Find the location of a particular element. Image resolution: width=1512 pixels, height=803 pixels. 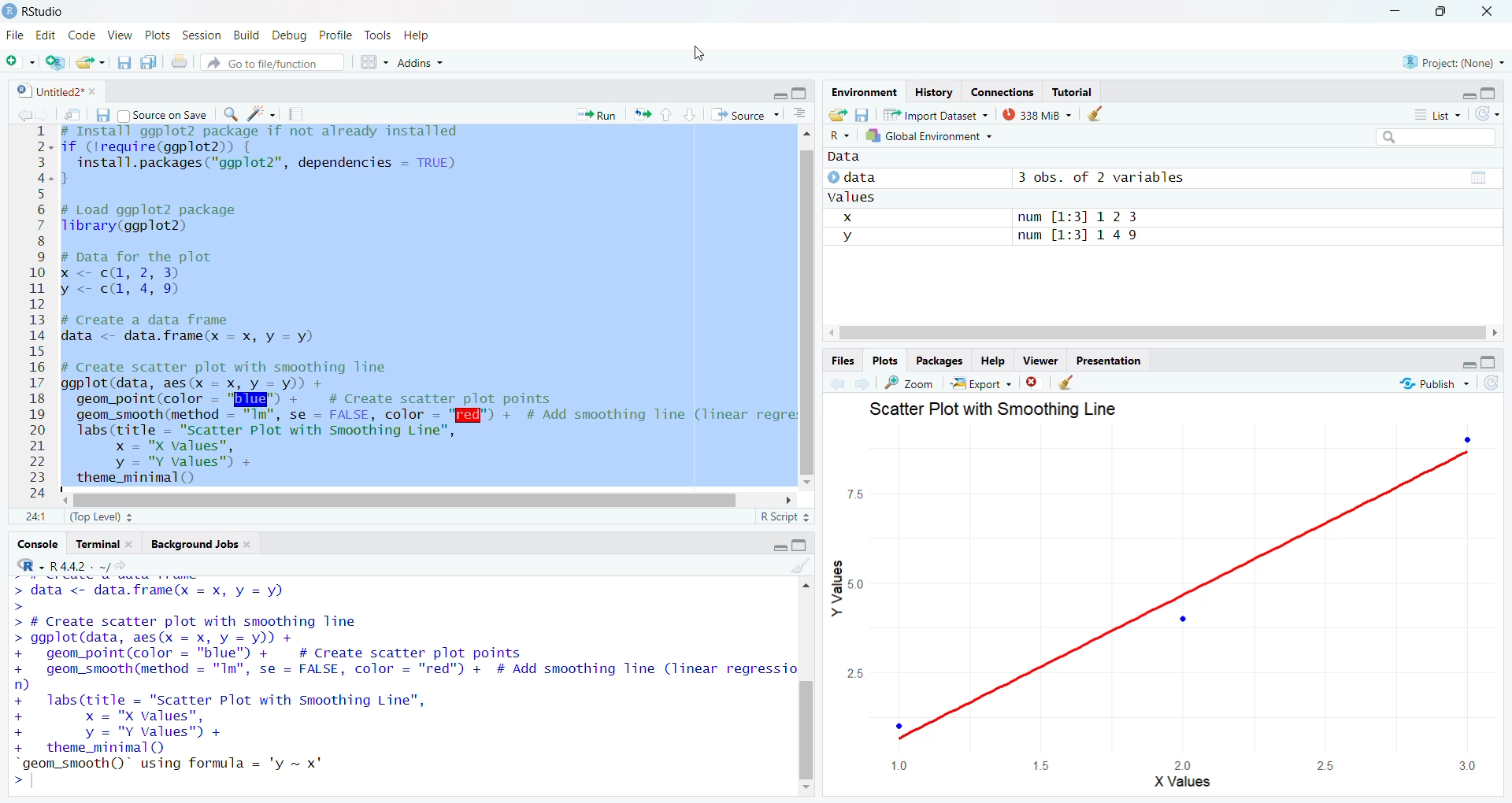

workspace pane is located at coordinates (376, 61).